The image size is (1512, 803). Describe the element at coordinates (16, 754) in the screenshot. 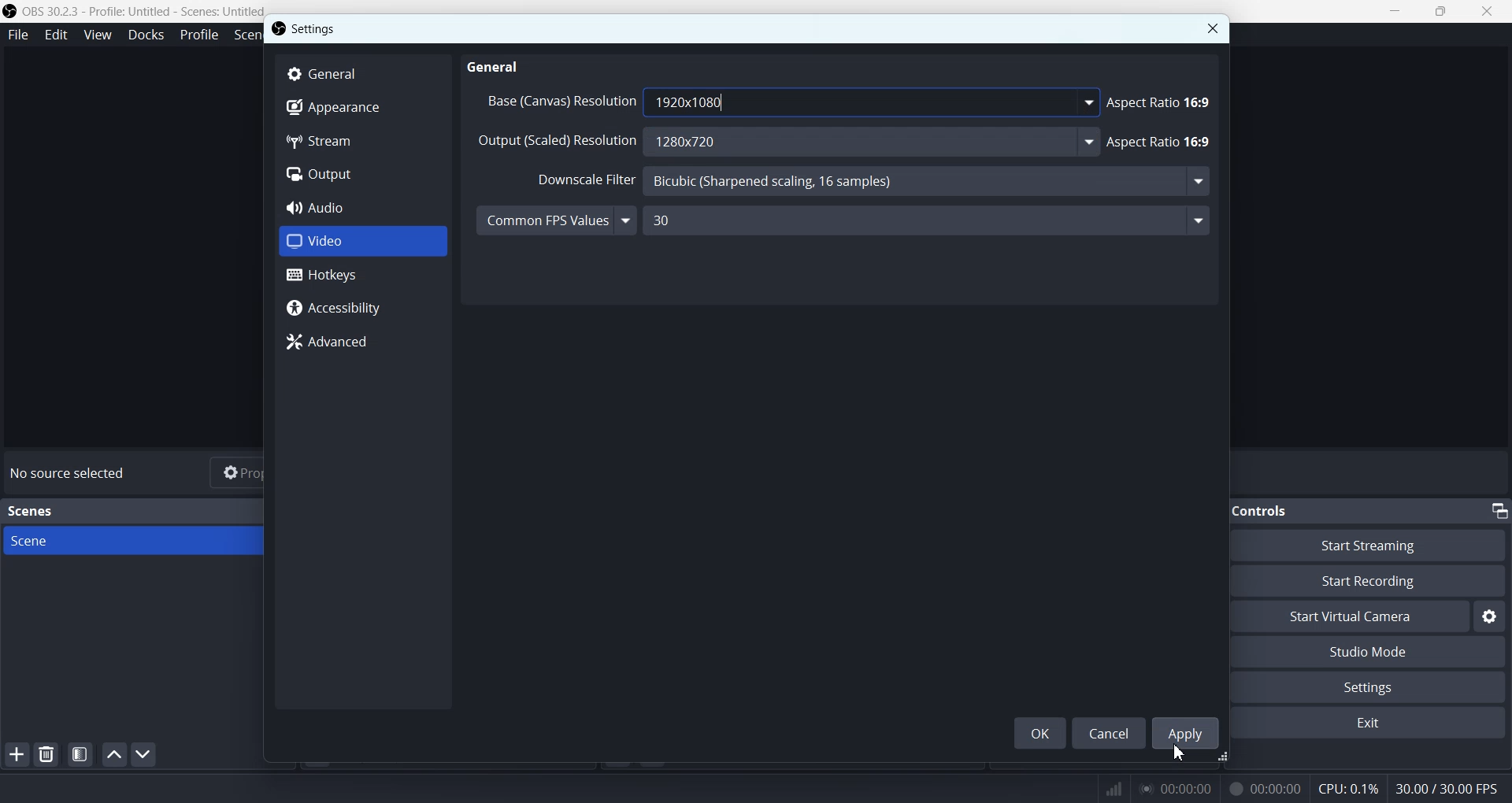

I see `Add Scene` at that location.